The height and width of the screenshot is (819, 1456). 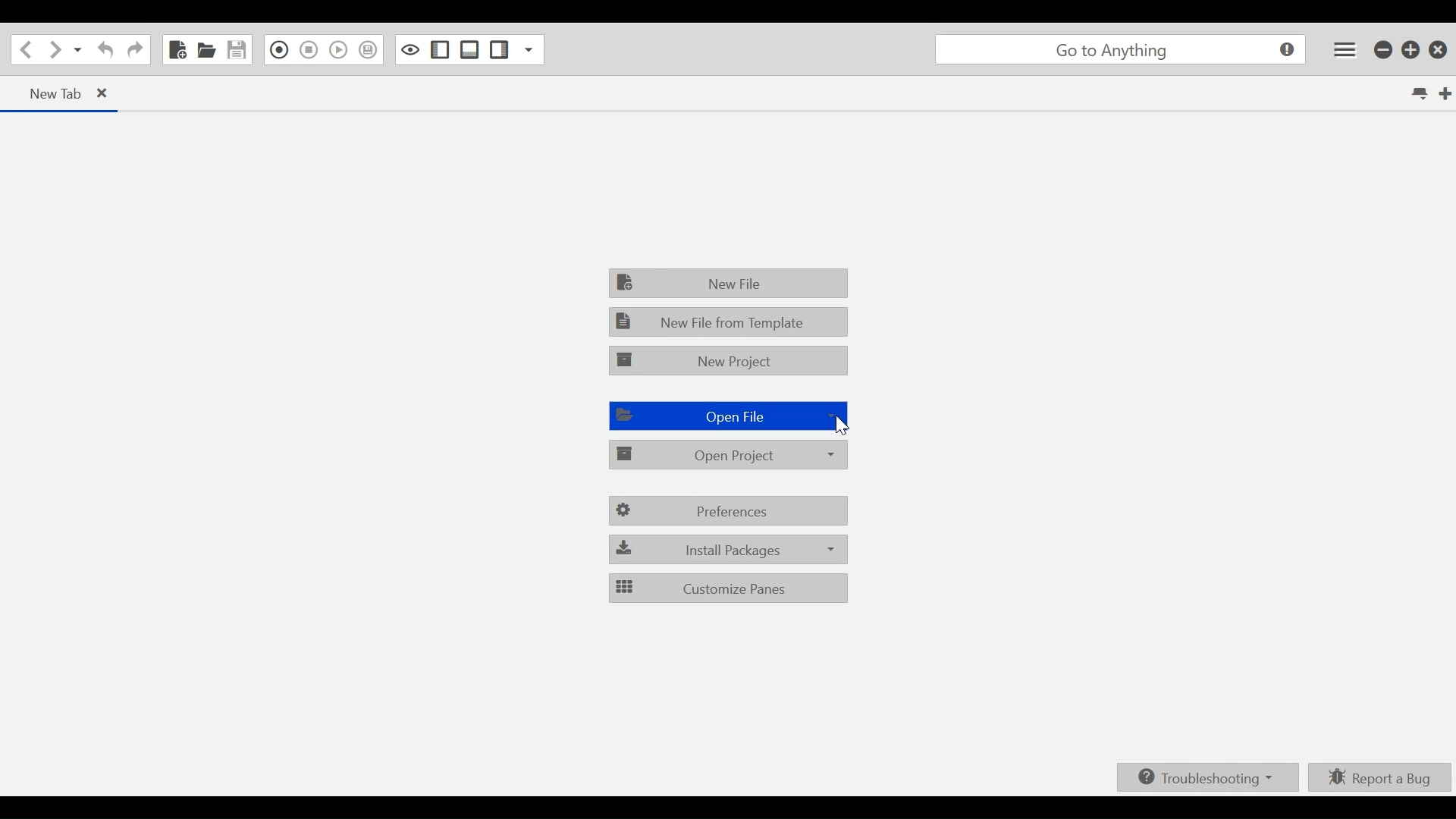 I want to click on New Project, so click(x=730, y=360).